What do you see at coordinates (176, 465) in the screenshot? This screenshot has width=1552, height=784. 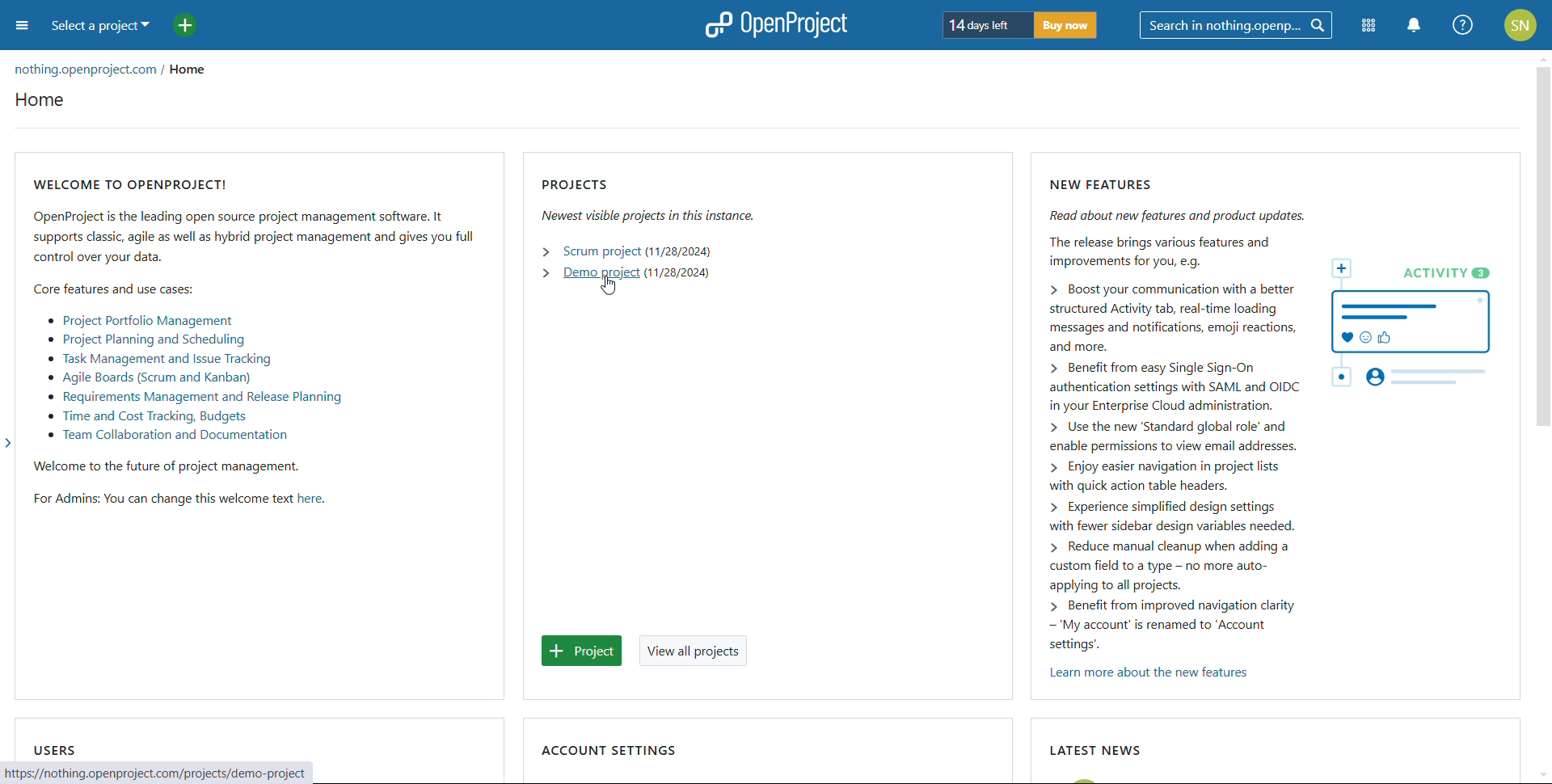 I see `welcome to the future of project management.` at bounding box center [176, 465].